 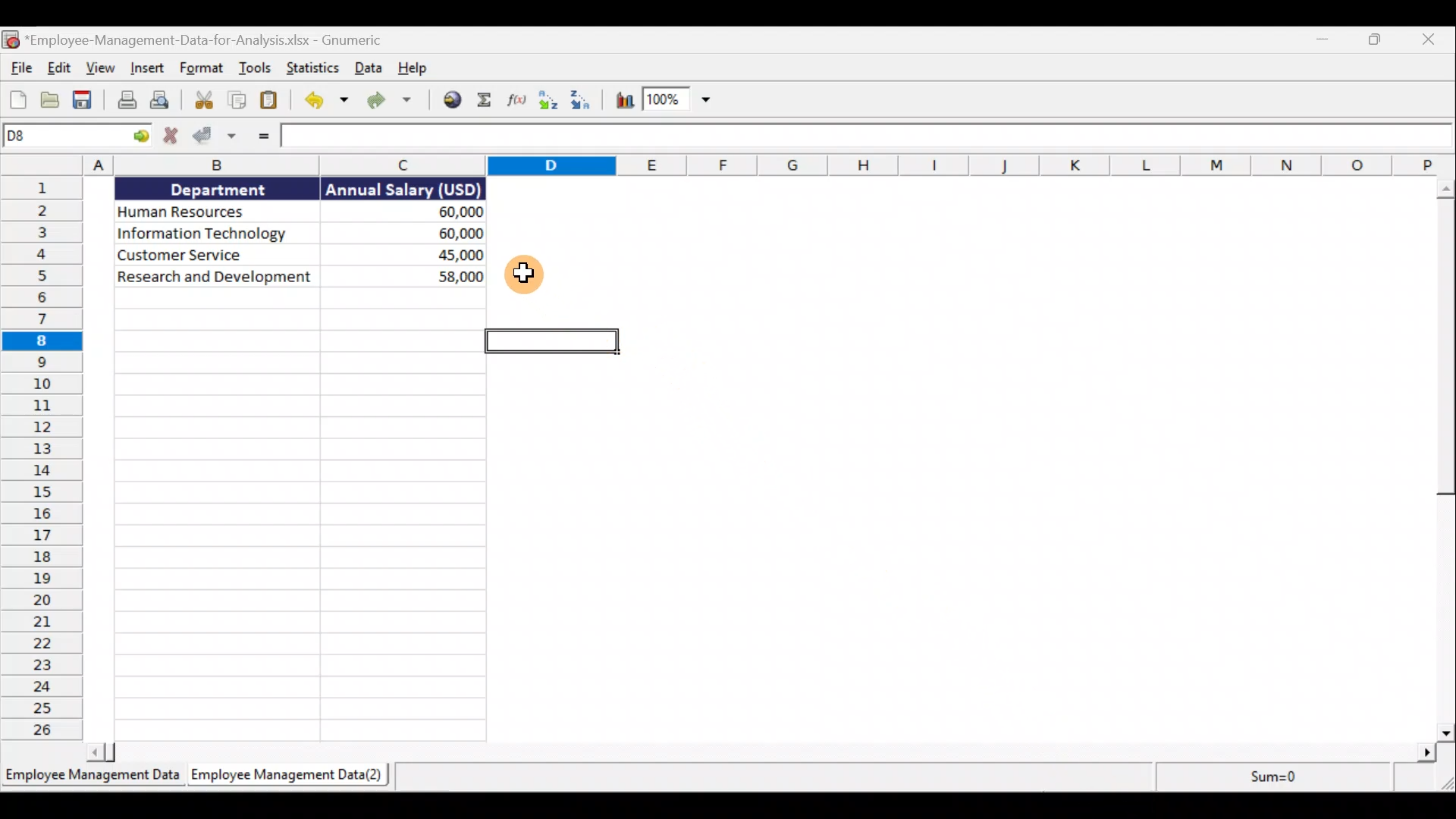 What do you see at coordinates (392, 100) in the screenshot?
I see `Redo the undone action` at bounding box center [392, 100].